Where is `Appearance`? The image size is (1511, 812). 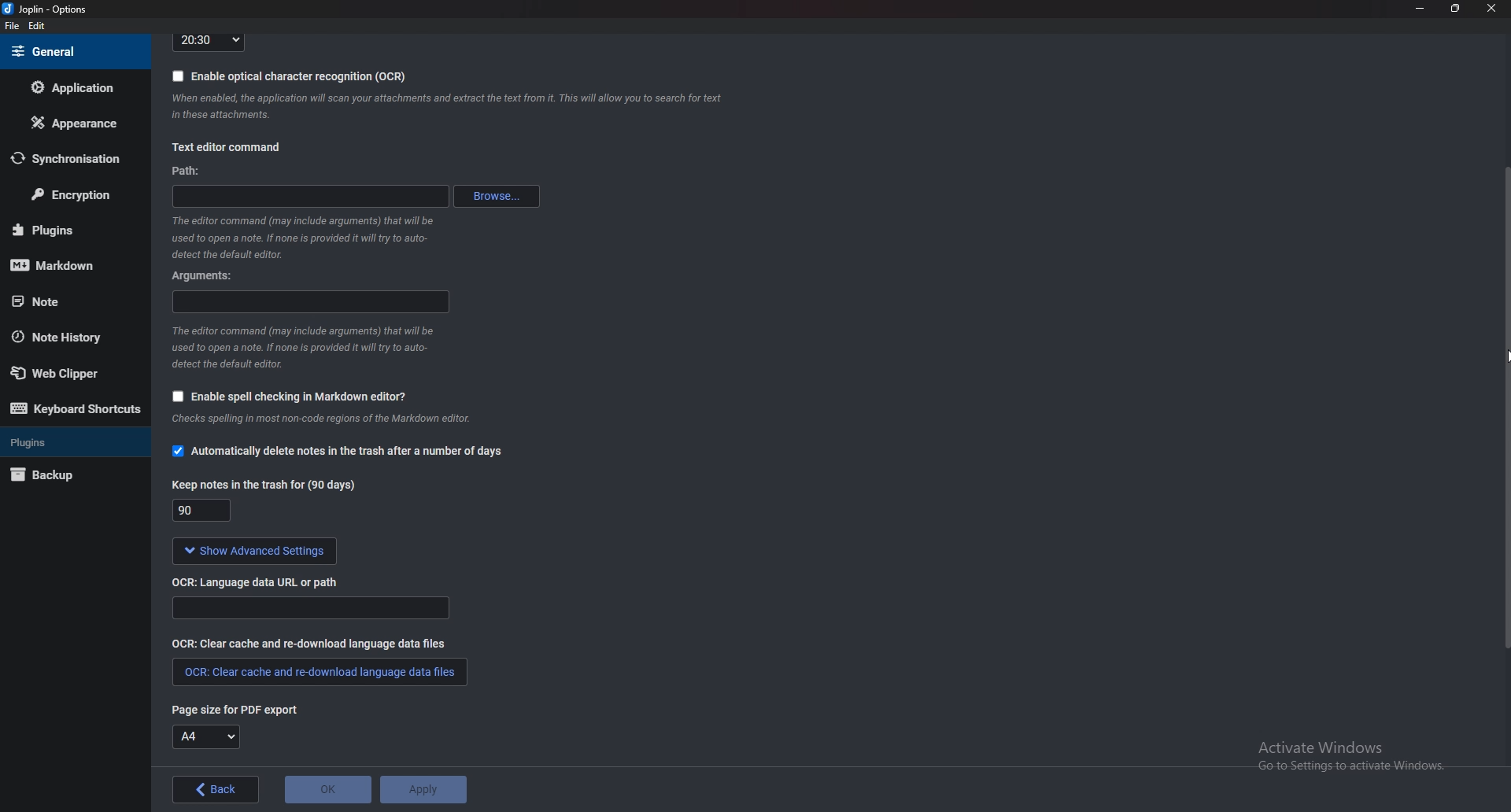
Appearance is located at coordinates (72, 123).